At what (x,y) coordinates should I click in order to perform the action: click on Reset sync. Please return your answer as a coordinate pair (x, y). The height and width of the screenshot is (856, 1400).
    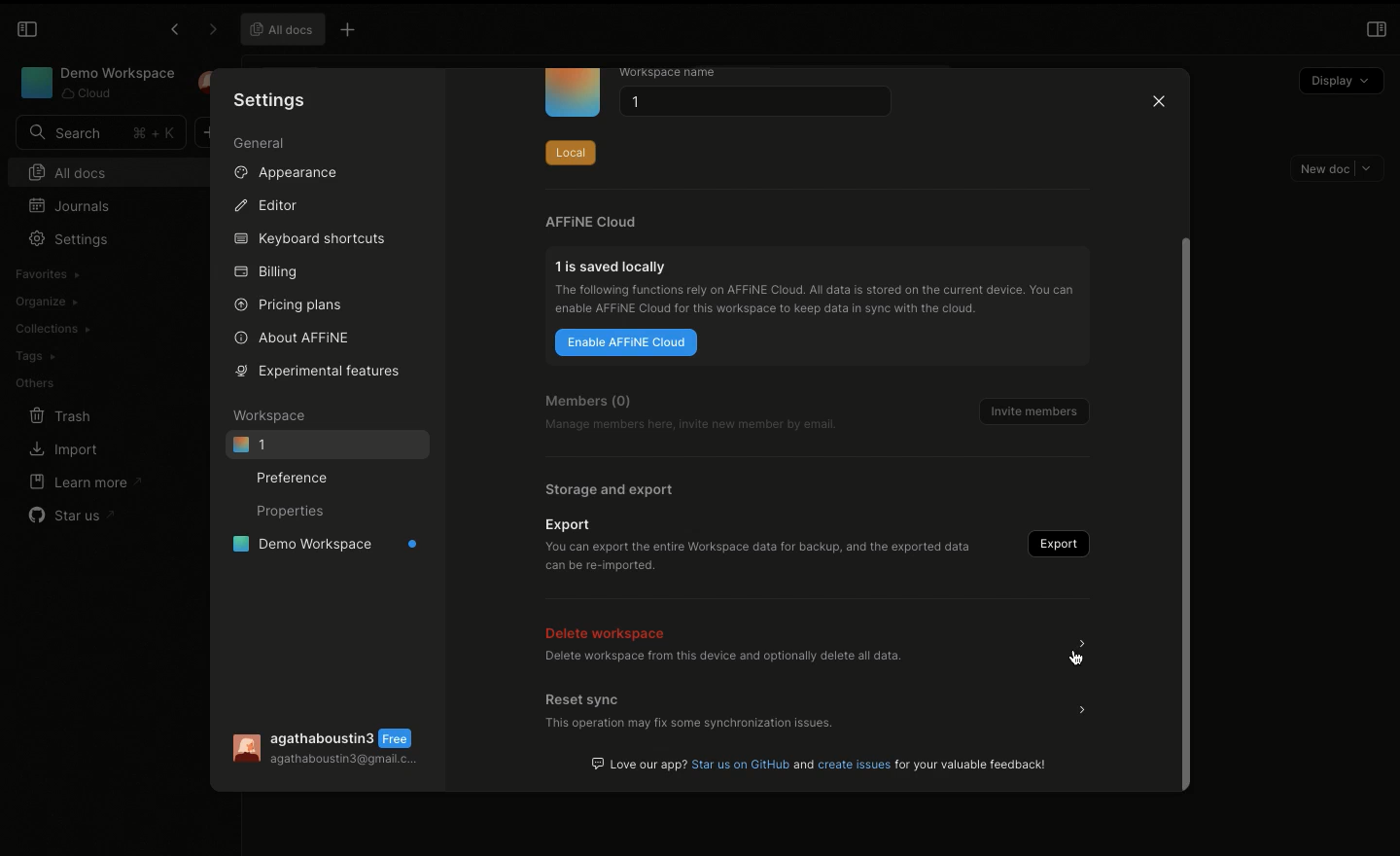
    Looking at the image, I should click on (585, 698).